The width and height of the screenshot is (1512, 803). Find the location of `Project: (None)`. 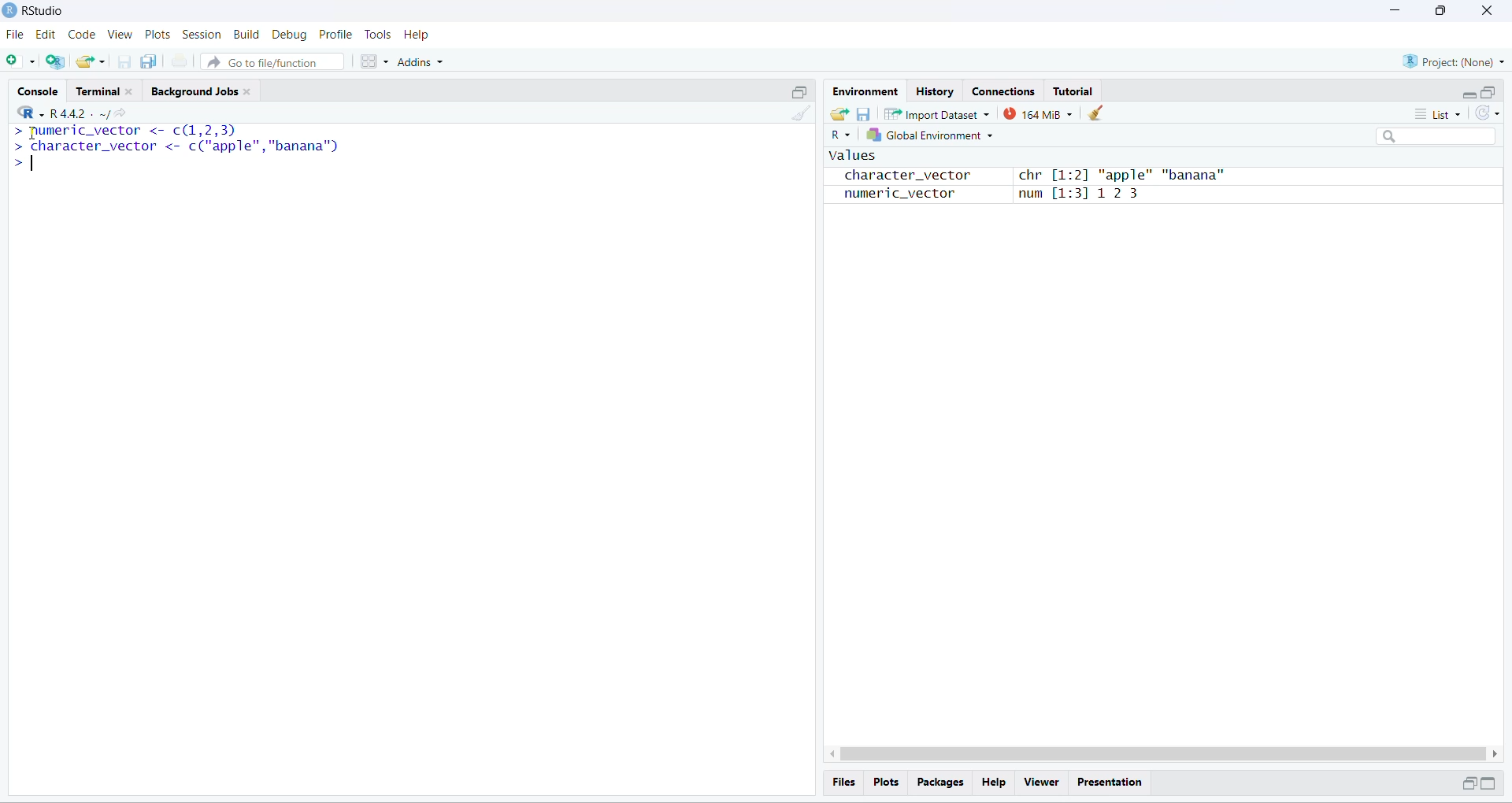

Project: (None) is located at coordinates (1455, 61).